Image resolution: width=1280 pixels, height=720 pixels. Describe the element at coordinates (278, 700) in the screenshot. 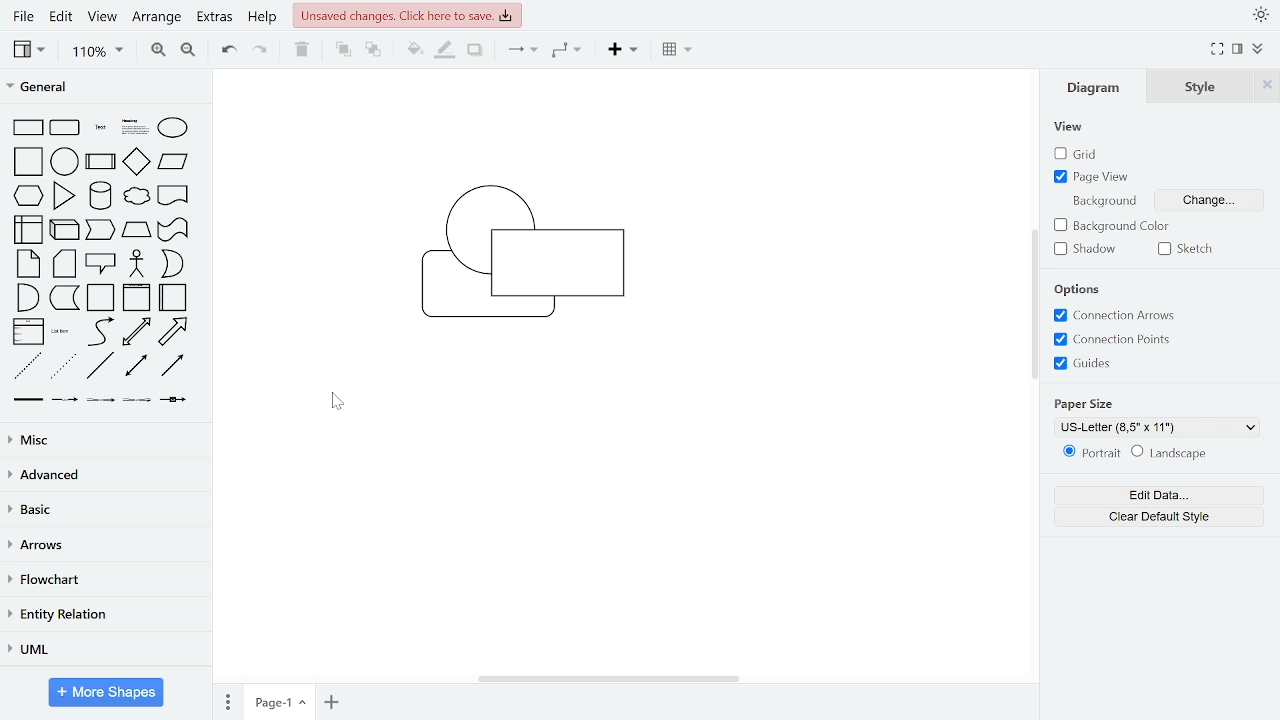

I see `current page` at that location.